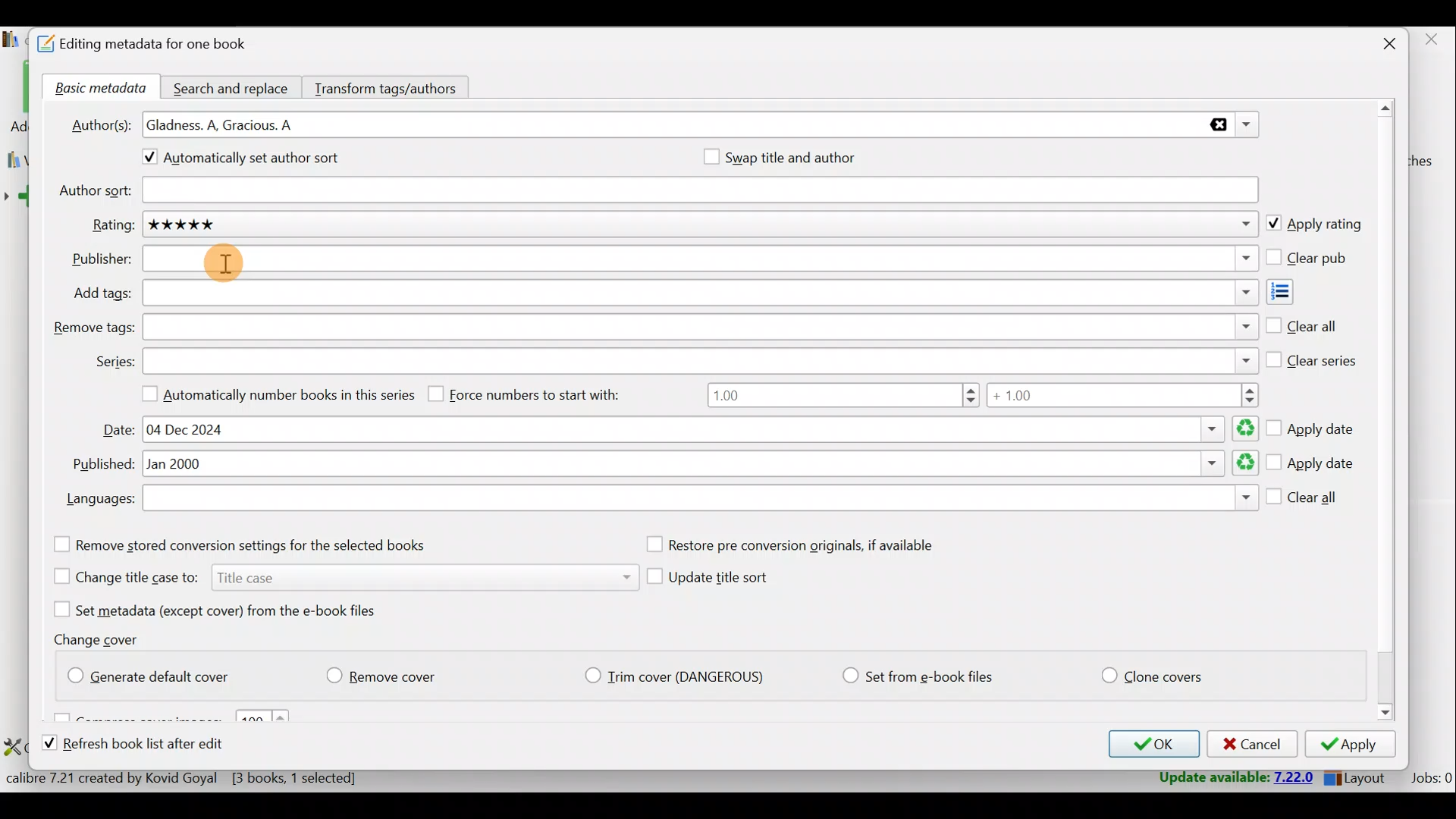 This screenshot has width=1456, height=819. Describe the element at coordinates (1313, 225) in the screenshot. I see `Apply rating` at that location.